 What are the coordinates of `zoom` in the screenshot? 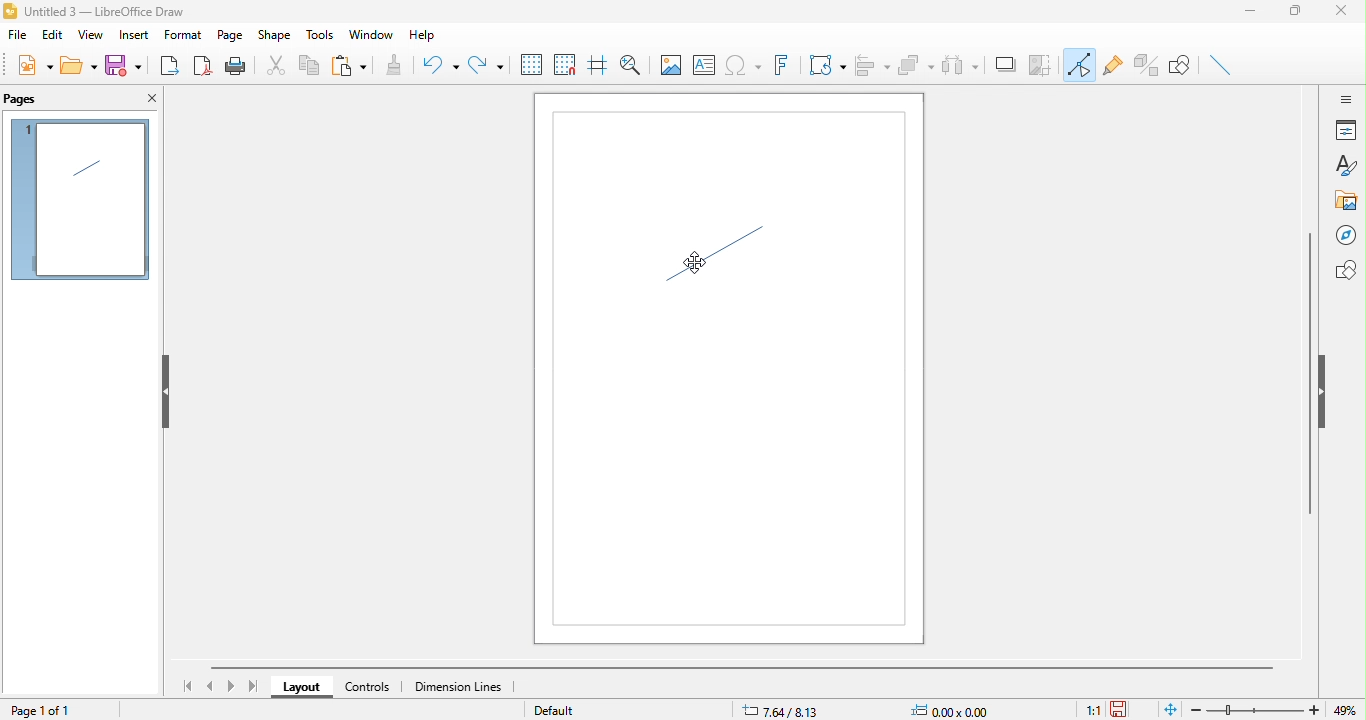 It's located at (1278, 710).